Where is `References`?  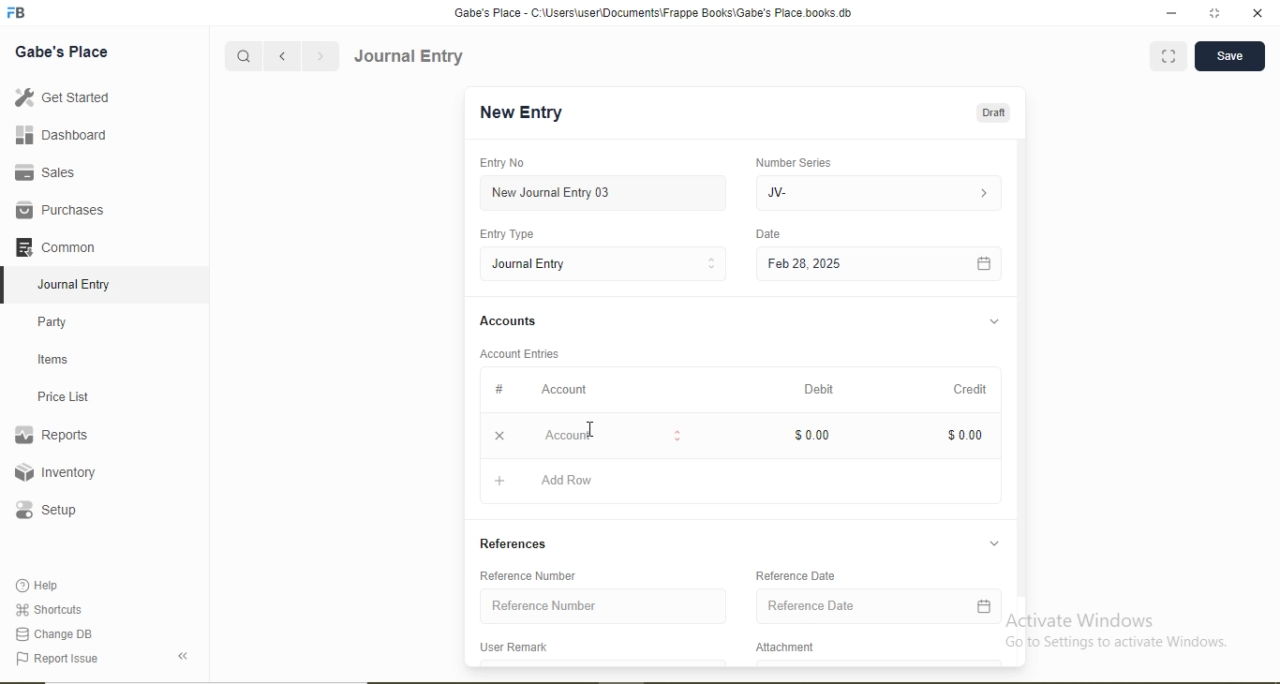
References is located at coordinates (513, 543).